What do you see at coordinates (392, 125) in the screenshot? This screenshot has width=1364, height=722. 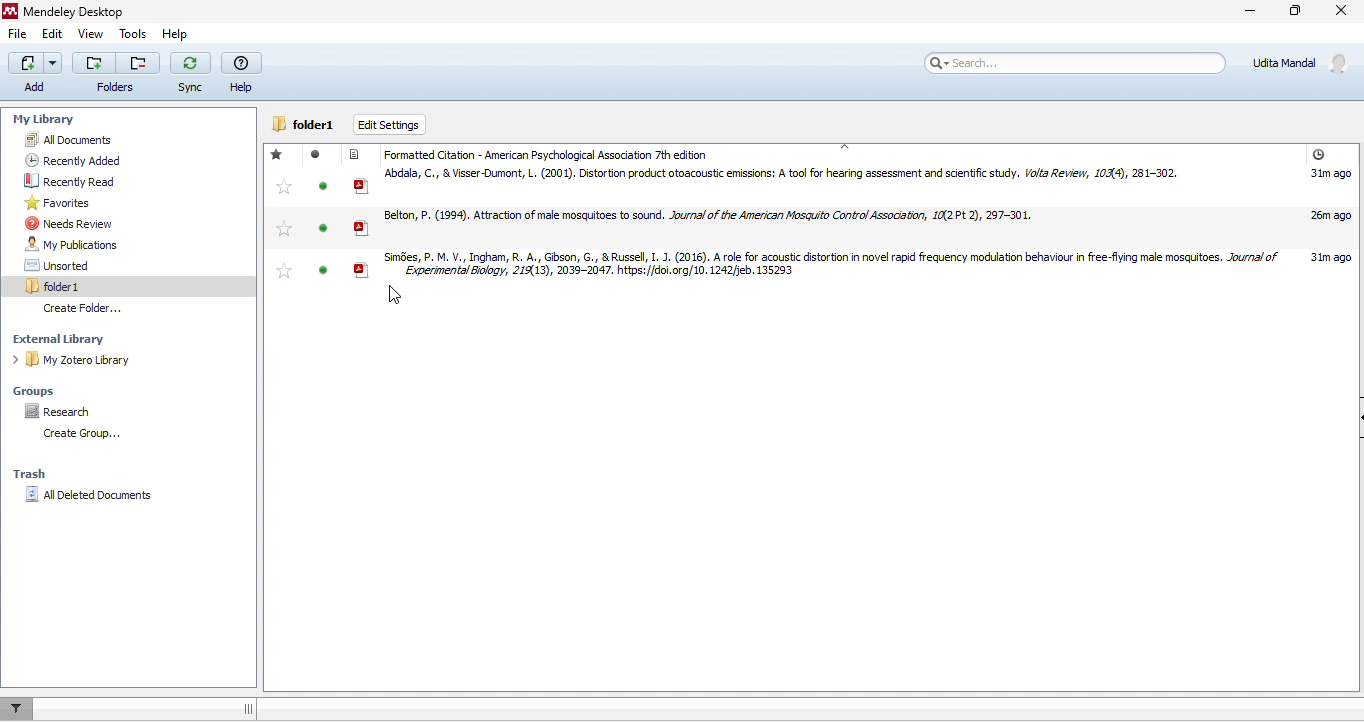 I see `edit settings` at bounding box center [392, 125].